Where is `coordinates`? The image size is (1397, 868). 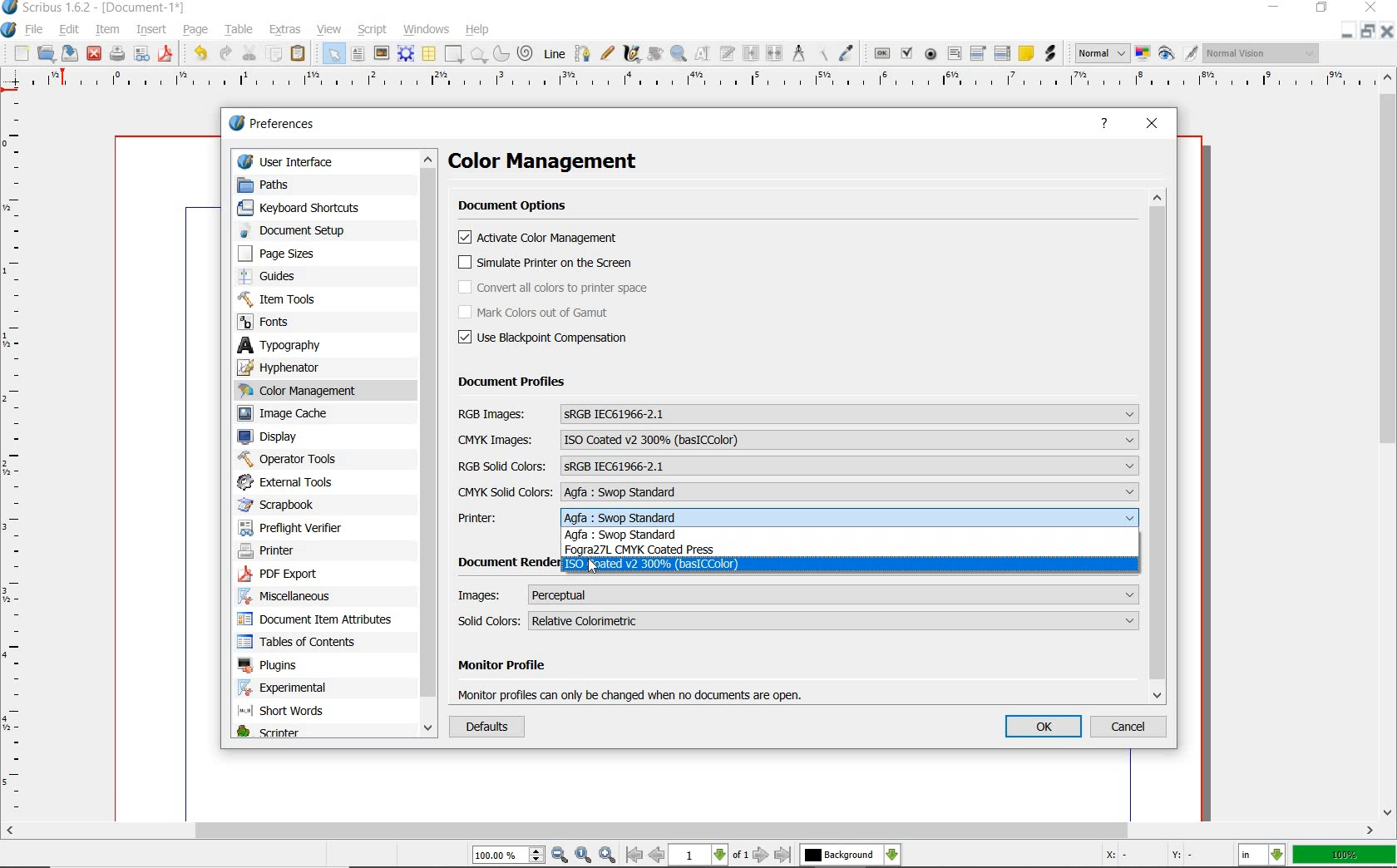
coordinates is located at coordinates (1148, 856).